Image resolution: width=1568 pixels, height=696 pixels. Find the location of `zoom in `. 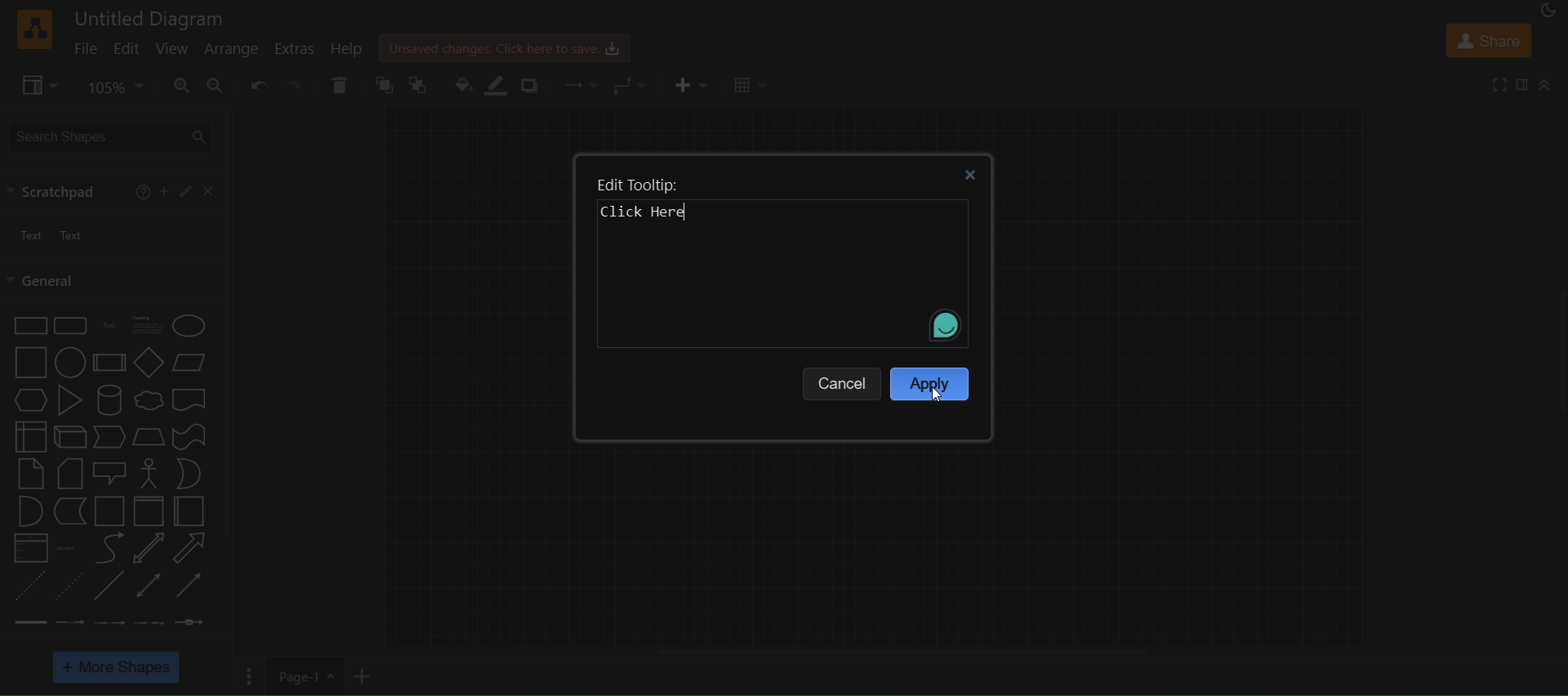

zoom in  is located at coordinates (183, 84).